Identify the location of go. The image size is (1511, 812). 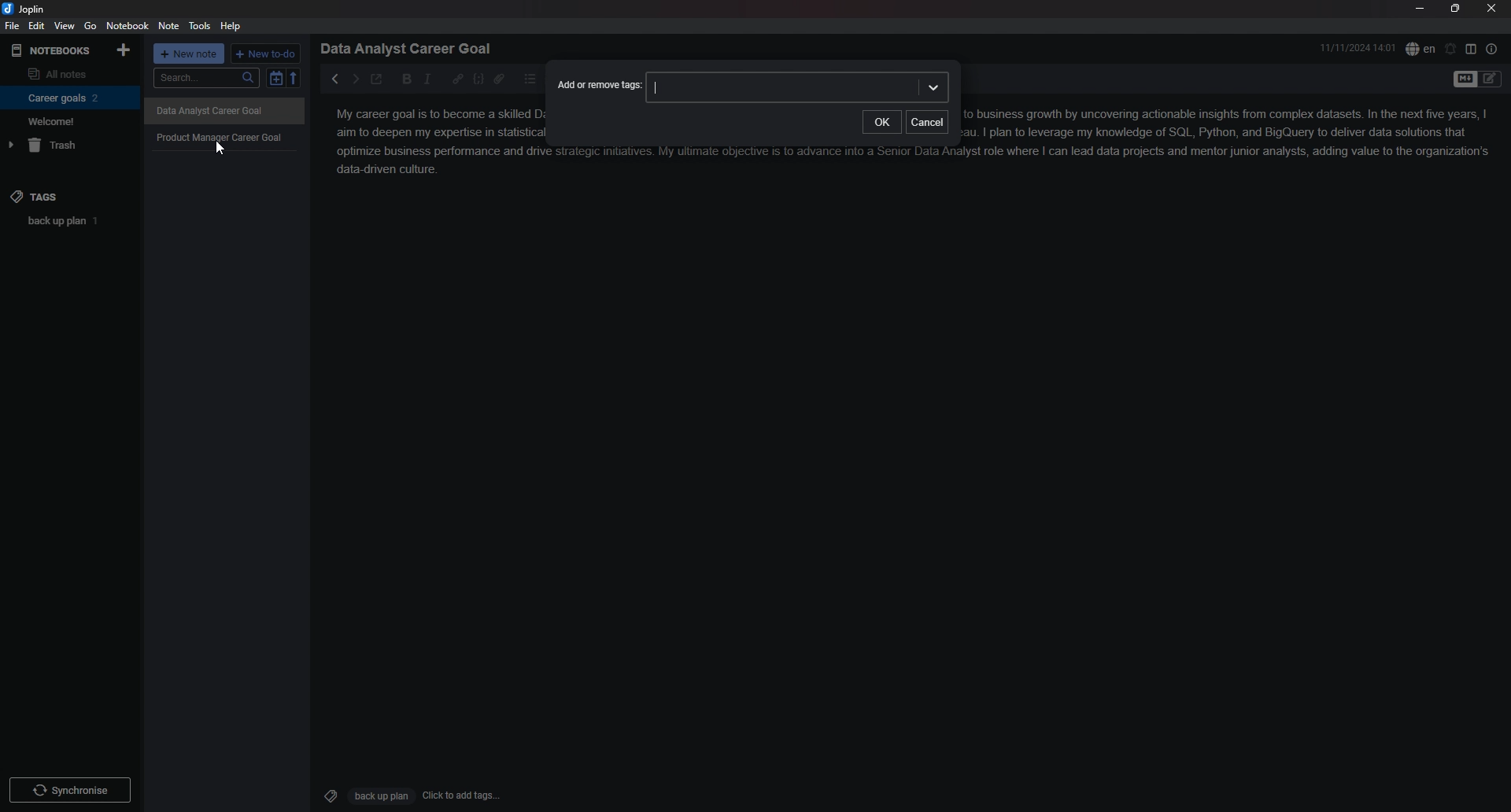
(91, 26).